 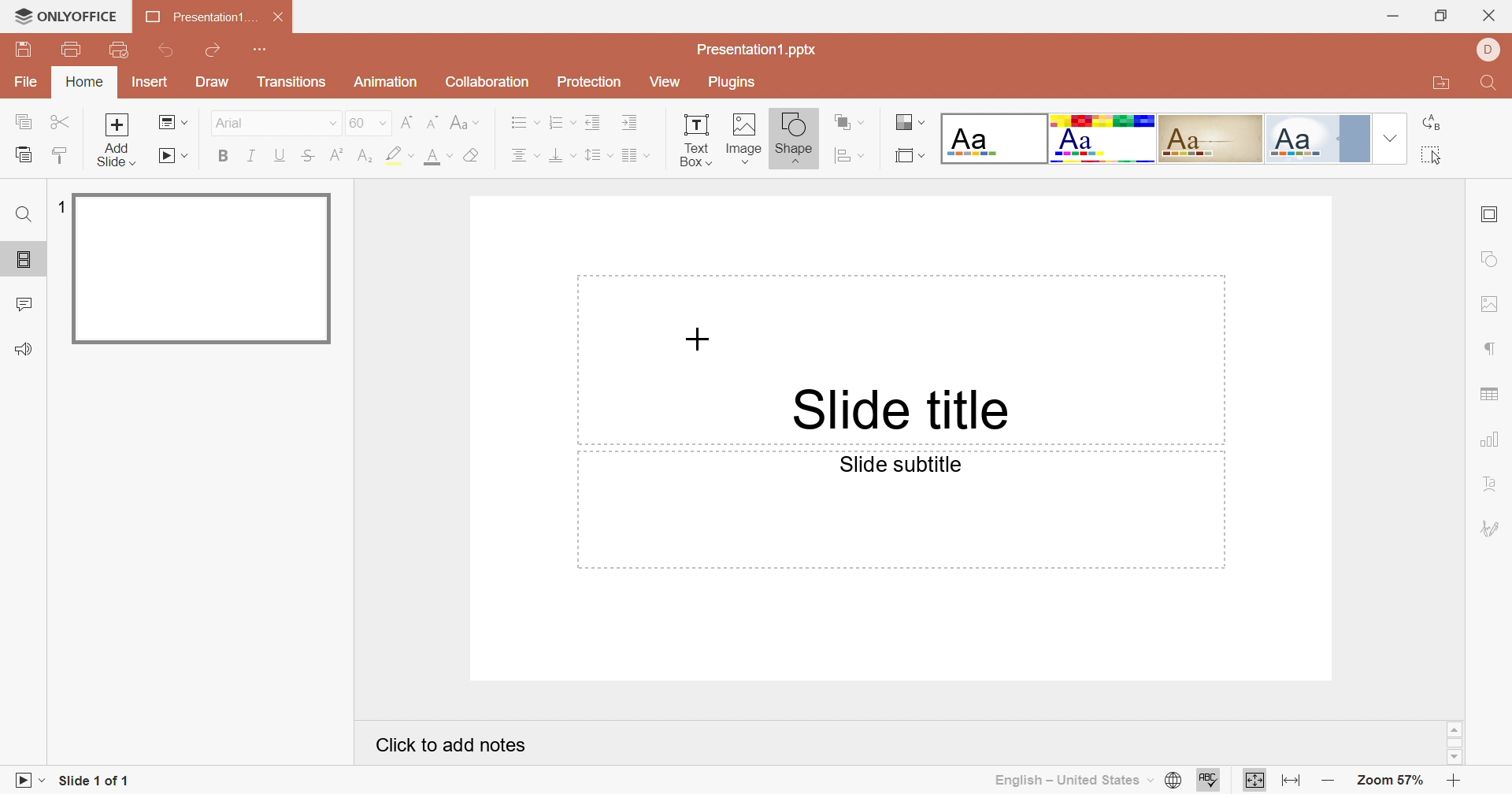 What do you see at coordinates (1292, 780) in the screenshot?
I see `Fit to width` at bounding box center [1292, 780].